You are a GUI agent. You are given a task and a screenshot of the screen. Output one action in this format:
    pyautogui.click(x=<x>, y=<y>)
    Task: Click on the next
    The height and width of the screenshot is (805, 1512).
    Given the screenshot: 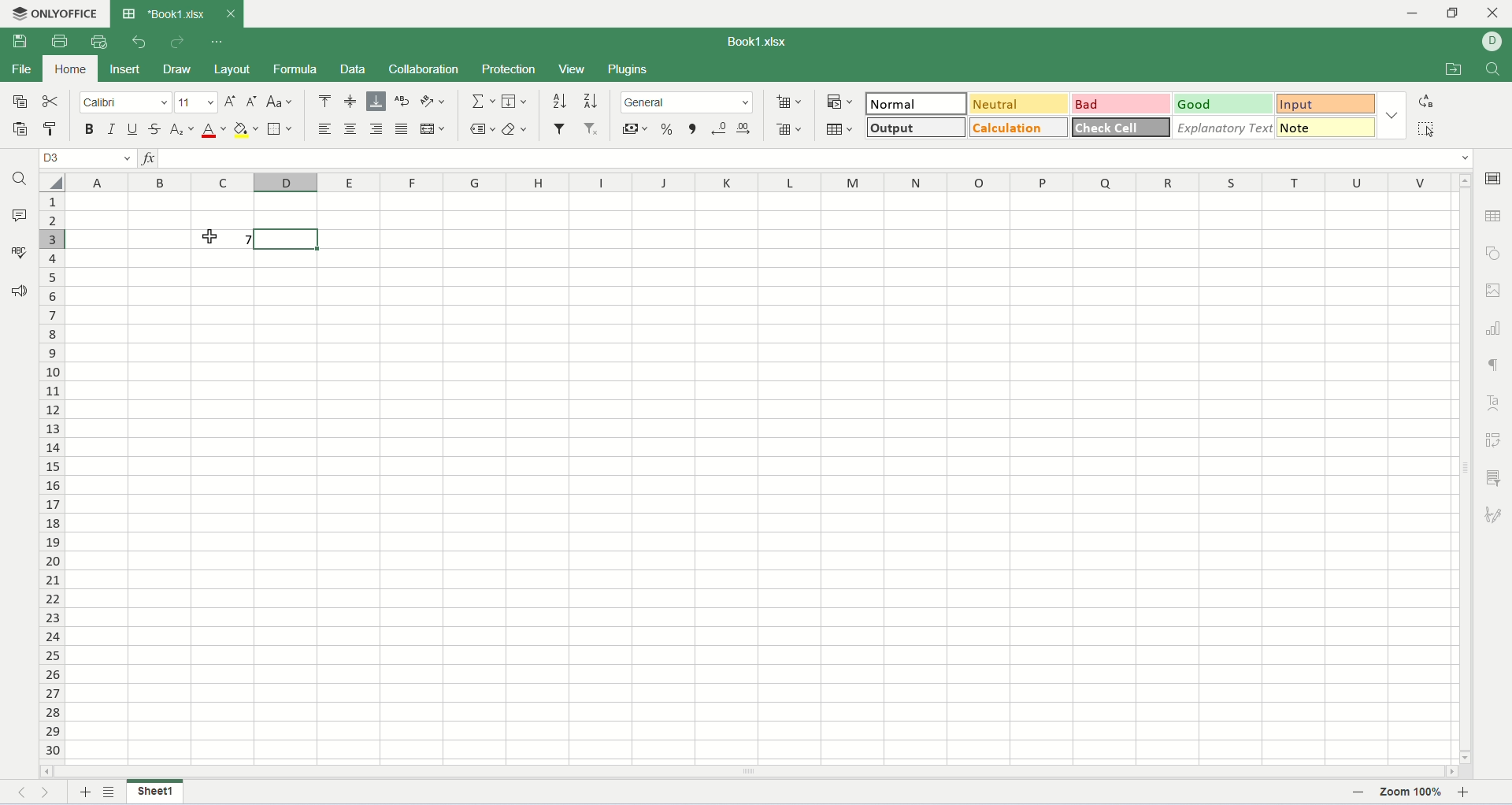 What is the action you would take?
    pyautogui.click(x=45, y=791)
    